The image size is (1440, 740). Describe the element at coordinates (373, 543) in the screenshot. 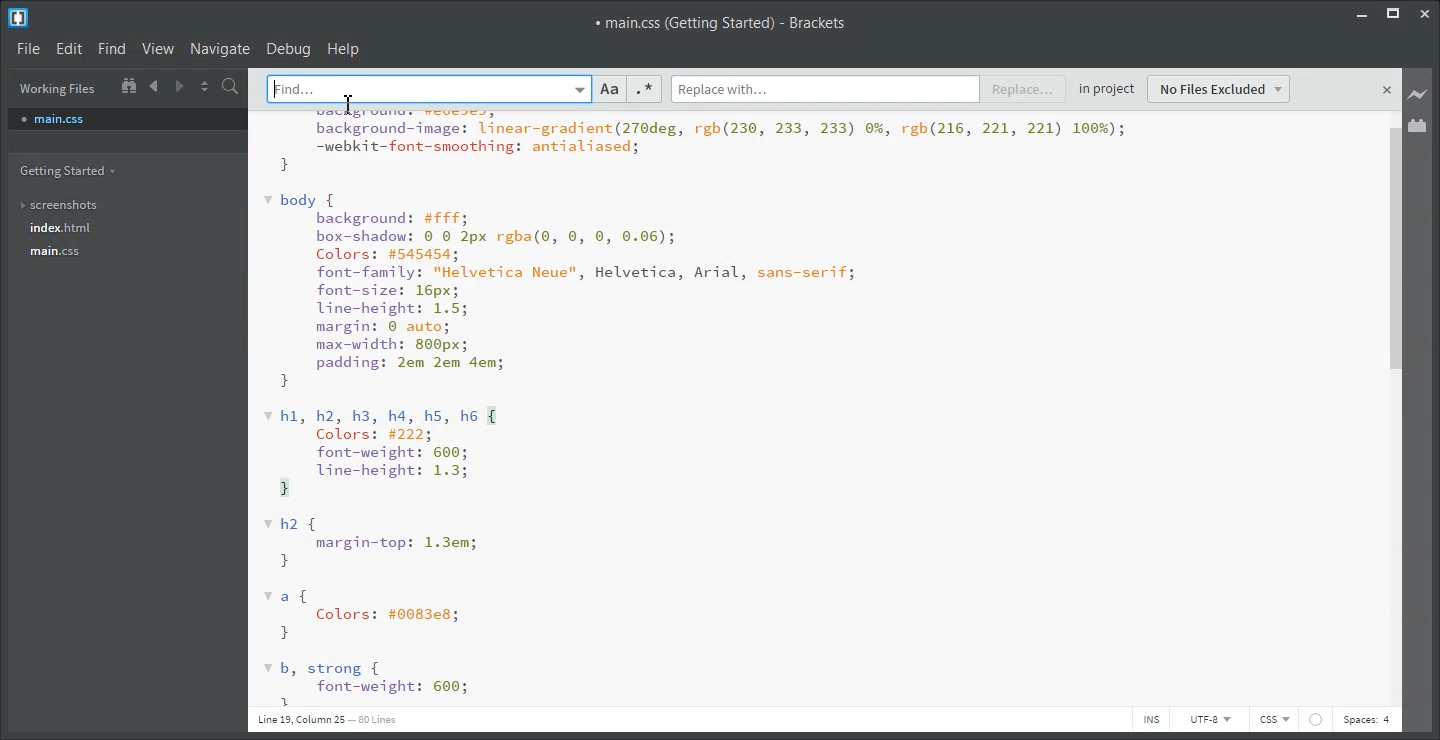

I see `h2 {
margin-top: 1.3em;
}` at that location.